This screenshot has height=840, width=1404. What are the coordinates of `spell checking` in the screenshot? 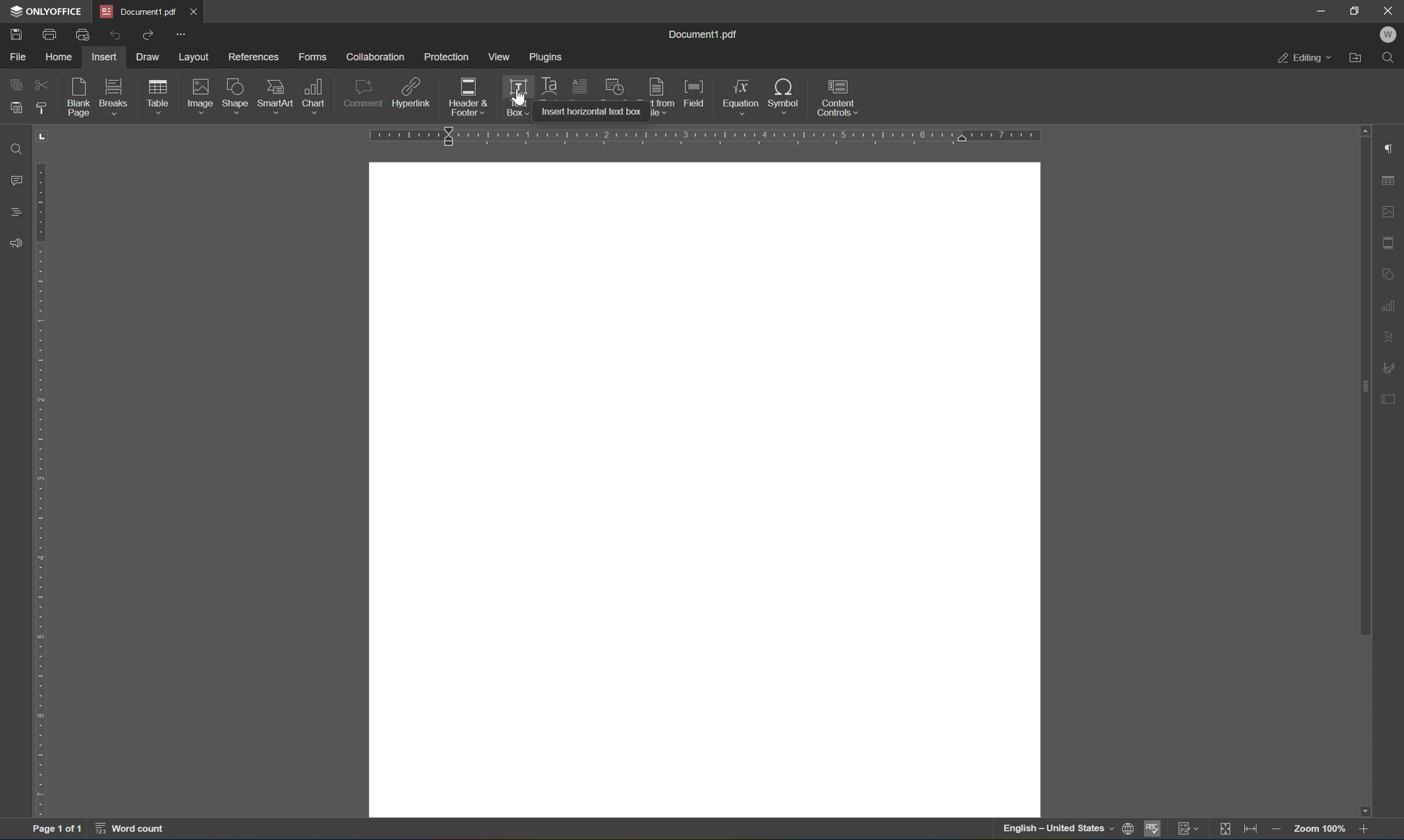 It's located at (1155, 828).